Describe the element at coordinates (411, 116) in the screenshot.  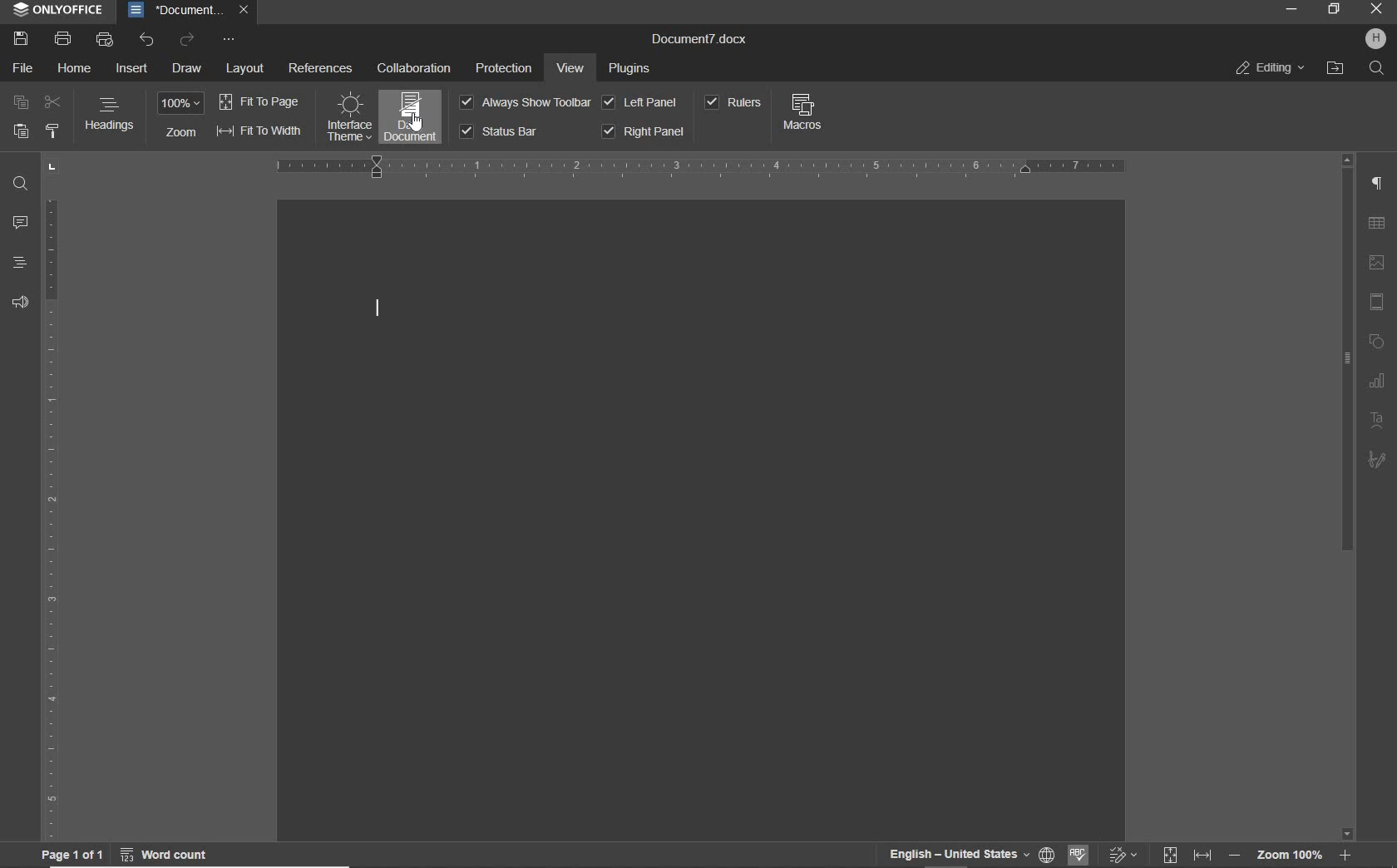
I see `Applied DARK DOCUMENT` at that location.